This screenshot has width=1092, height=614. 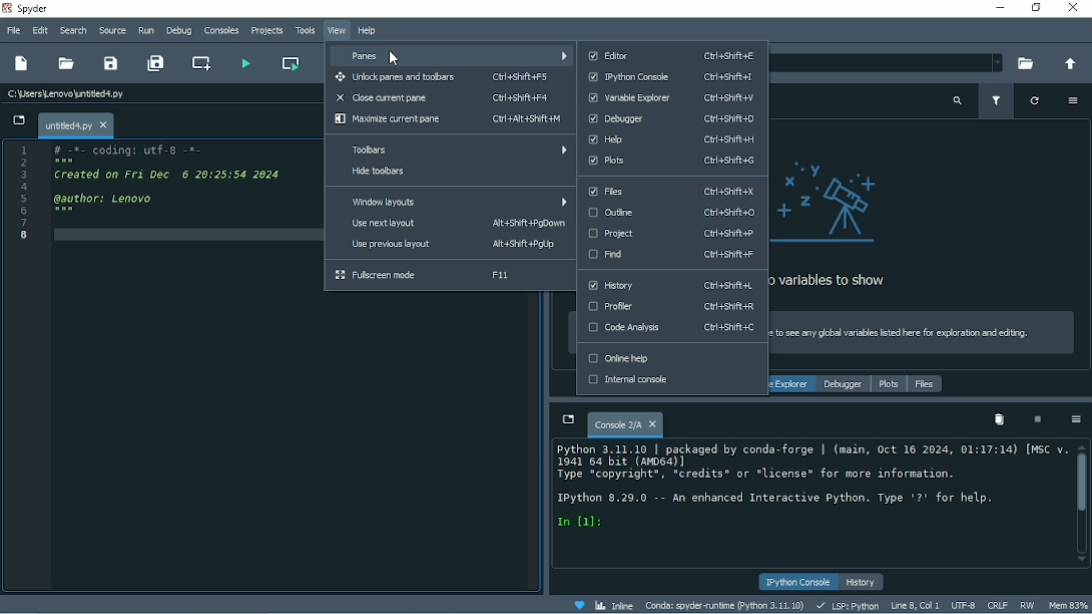 What do you see at coordinates (131, 150) in the screenshot?
I see `Coding` at bounding box center [131, 150].